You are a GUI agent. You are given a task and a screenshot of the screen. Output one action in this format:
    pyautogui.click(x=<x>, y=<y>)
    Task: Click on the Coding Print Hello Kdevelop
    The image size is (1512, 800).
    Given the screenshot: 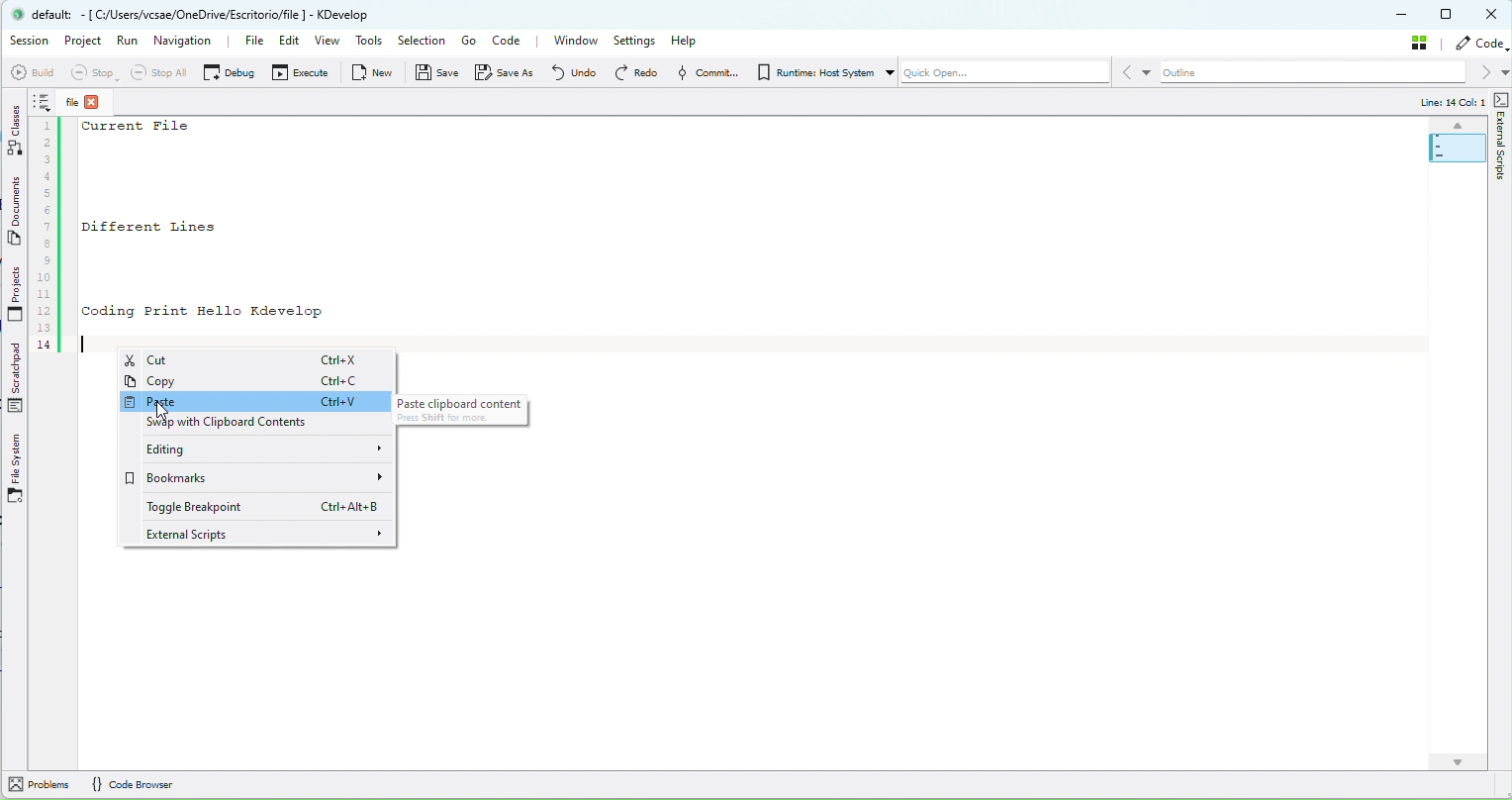 What is the action you would take?
    pyautogui.click(x=203, y=311)
    